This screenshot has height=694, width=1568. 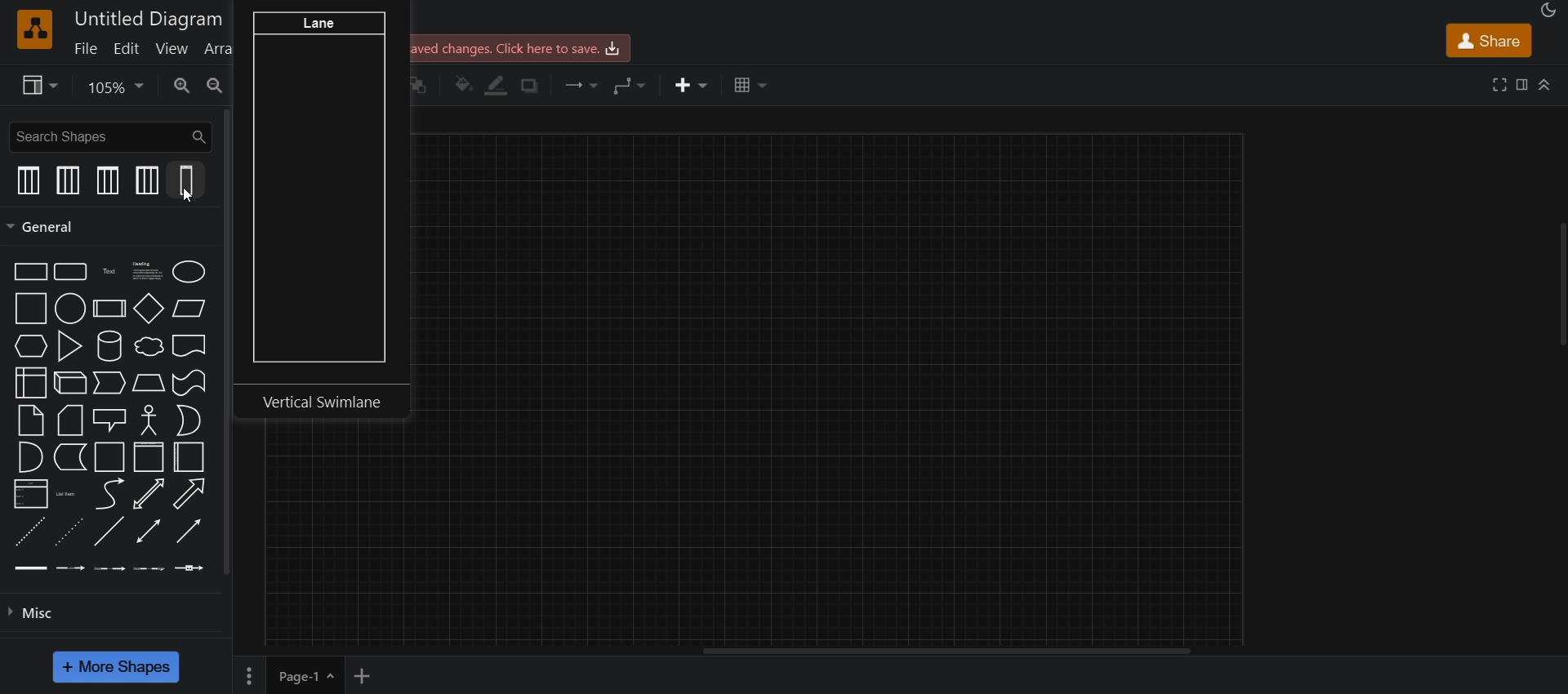 What do you see at coordinates (747, 84) in the screenshot?
I see `table` at bounding box center [747, 84].